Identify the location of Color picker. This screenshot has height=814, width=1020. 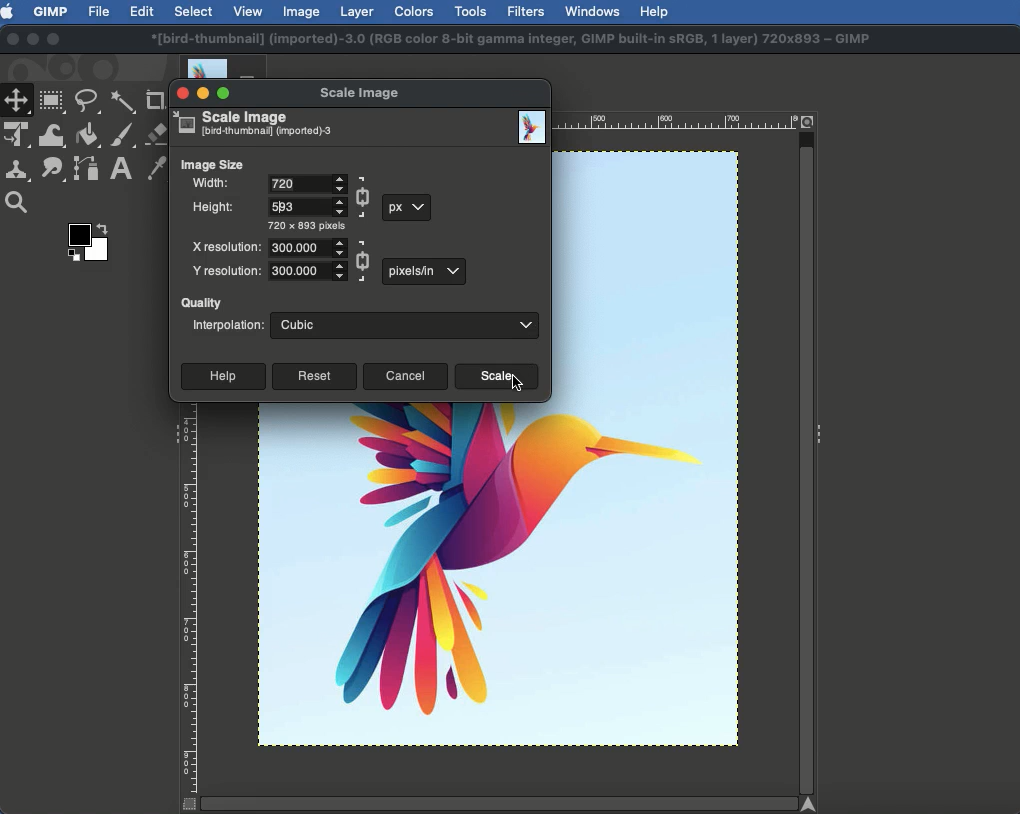
(157, 169).